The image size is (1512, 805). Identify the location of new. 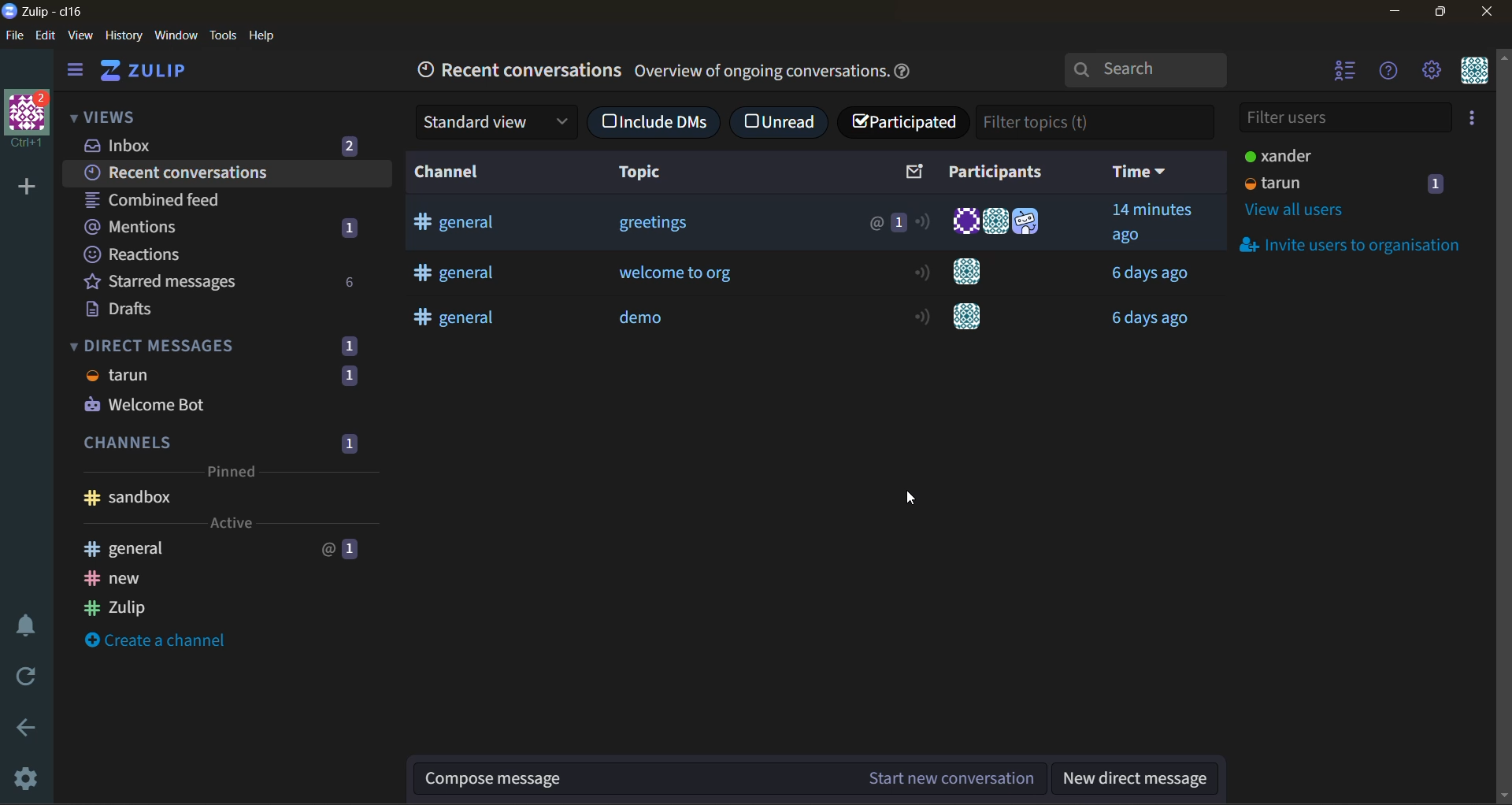
(206, 578).